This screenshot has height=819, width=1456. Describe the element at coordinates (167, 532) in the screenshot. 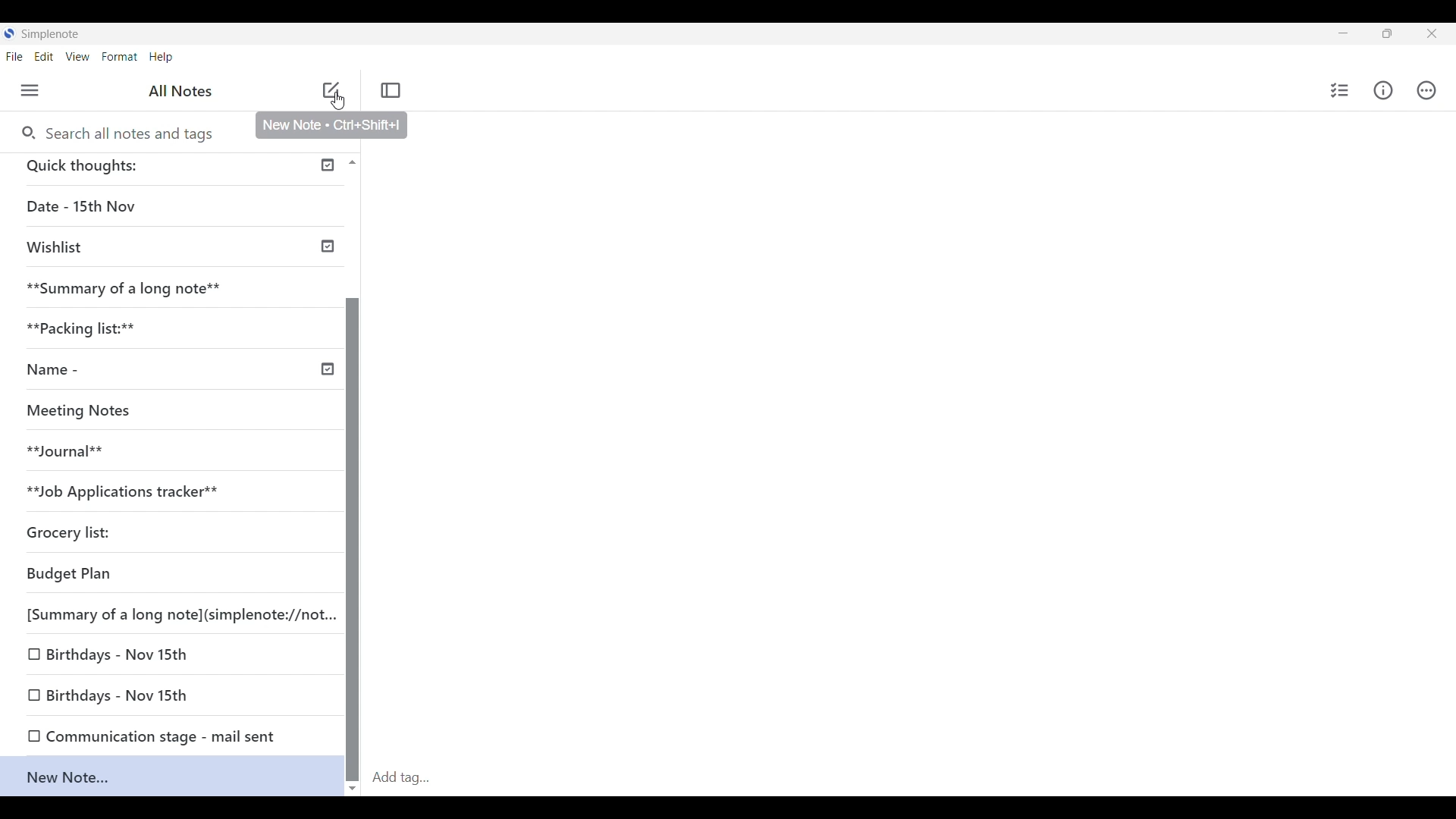

I see `Grocery list:` at that location.